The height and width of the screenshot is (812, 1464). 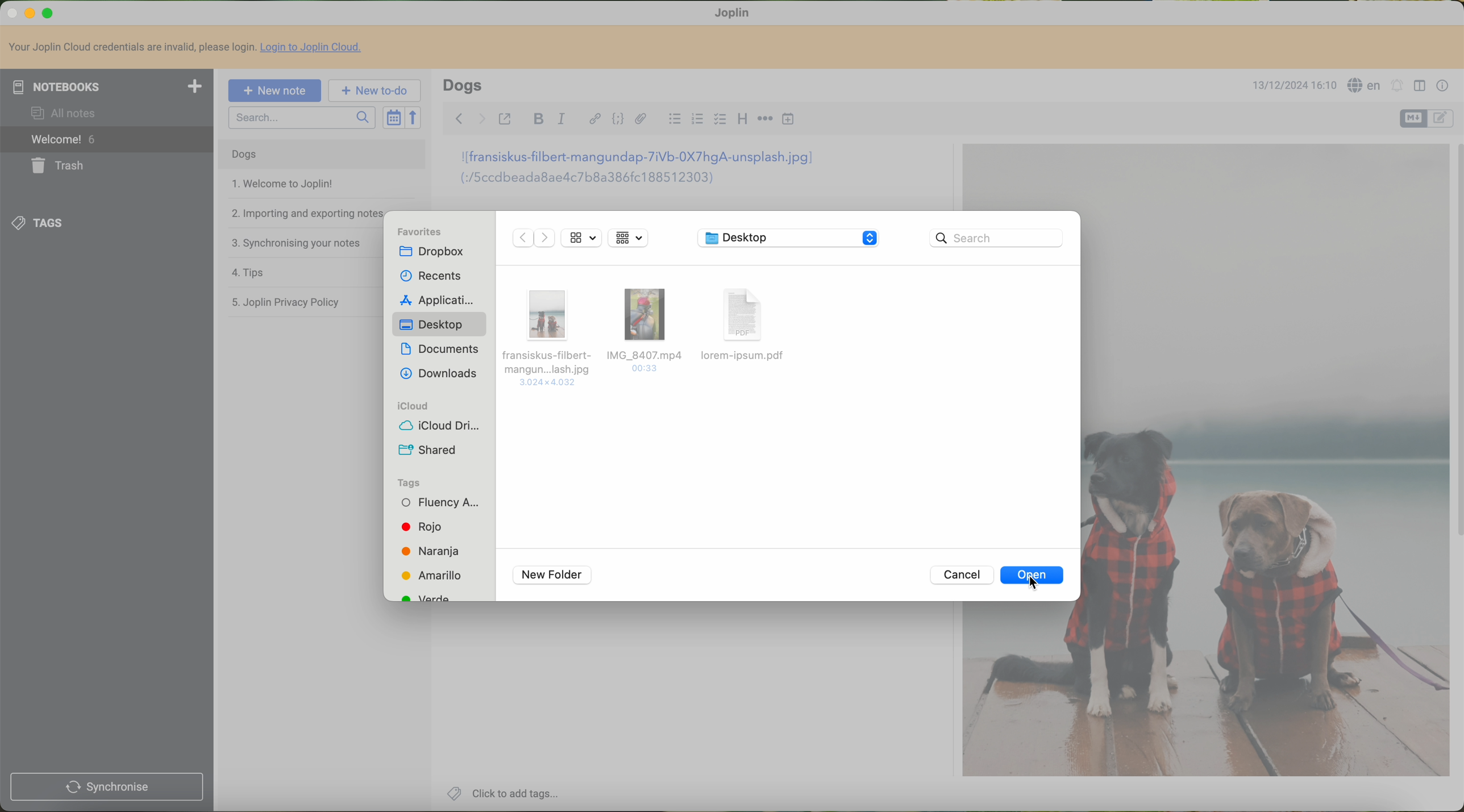 I want to click on toggle editors, so click(x=1415, y=118).